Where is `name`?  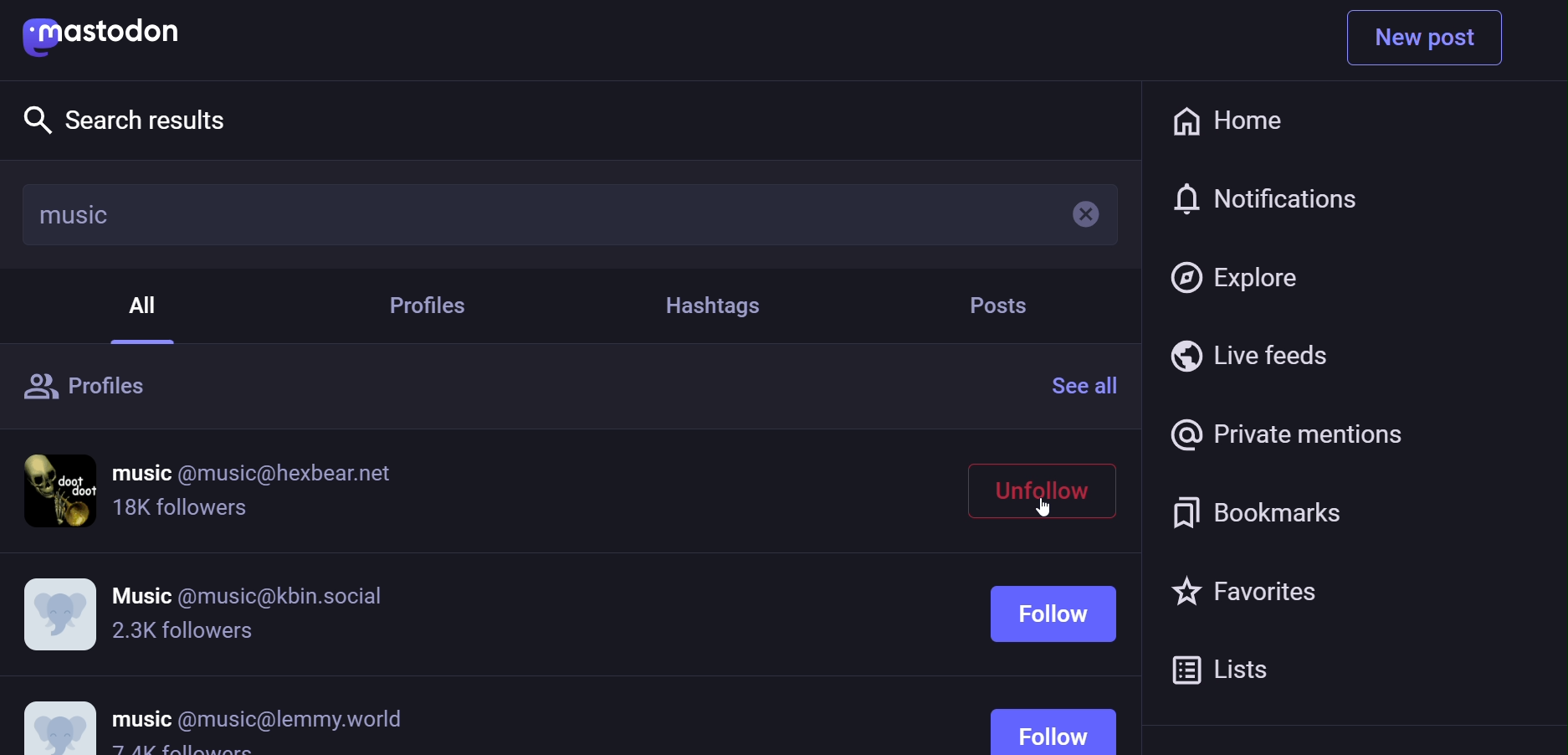
name is located at coordinates (255, 473).